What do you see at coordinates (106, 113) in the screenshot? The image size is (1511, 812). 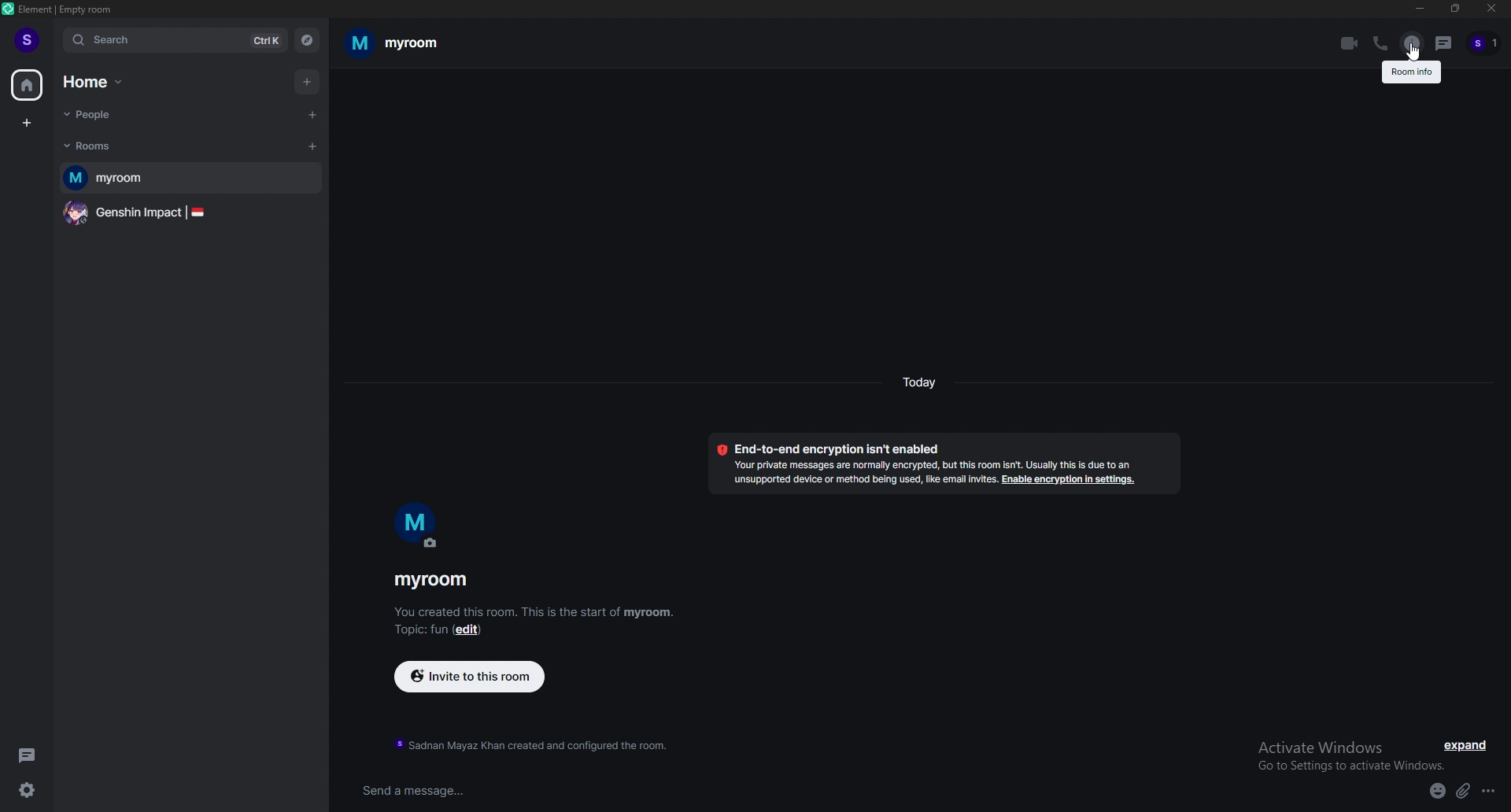 I see `people` at bounding box center [106, 113].